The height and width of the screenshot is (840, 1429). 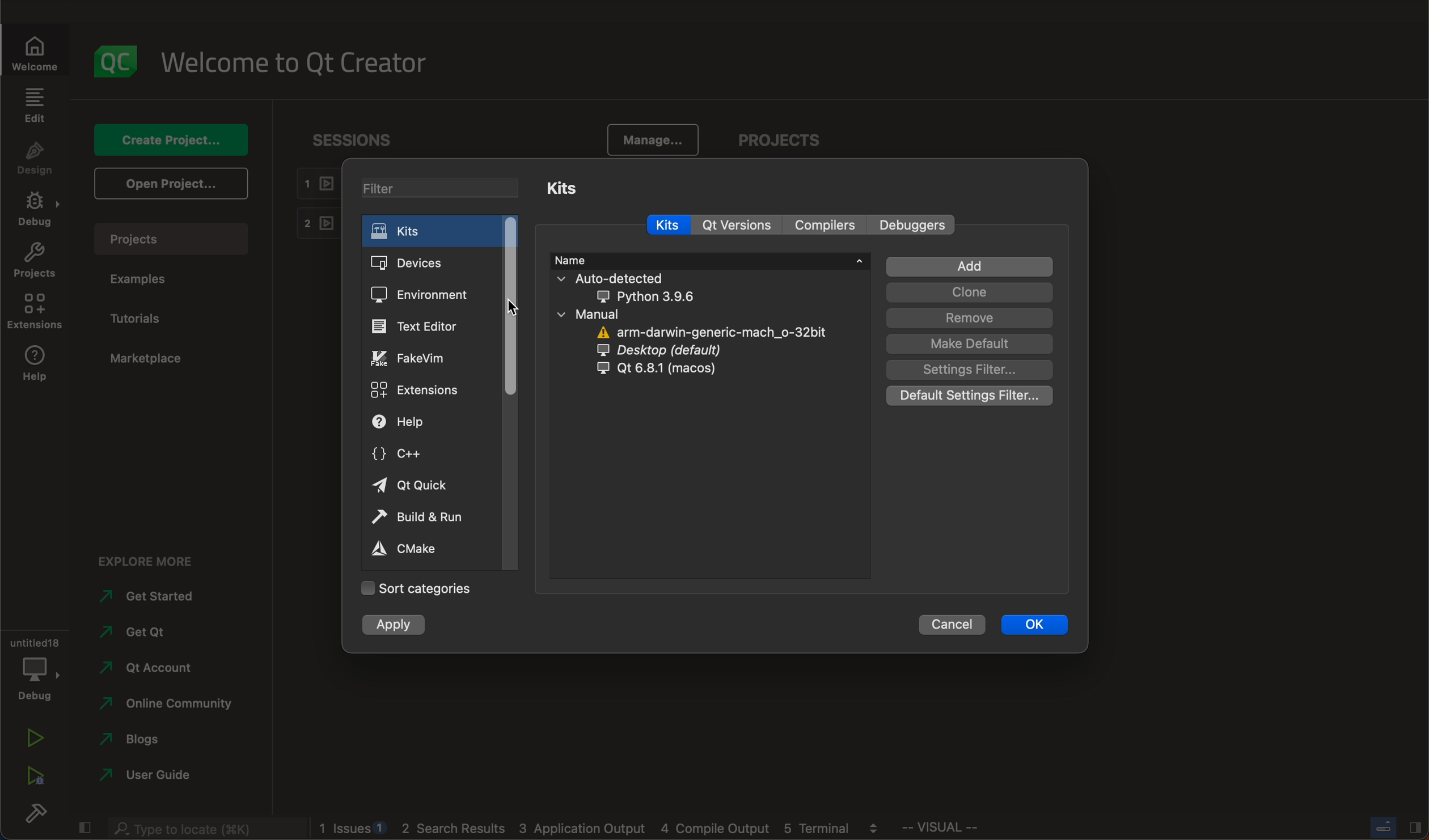 What do you see at coordinates (605, 830) in the screenshot?
I see `logs` at bounding box center [605, 830].